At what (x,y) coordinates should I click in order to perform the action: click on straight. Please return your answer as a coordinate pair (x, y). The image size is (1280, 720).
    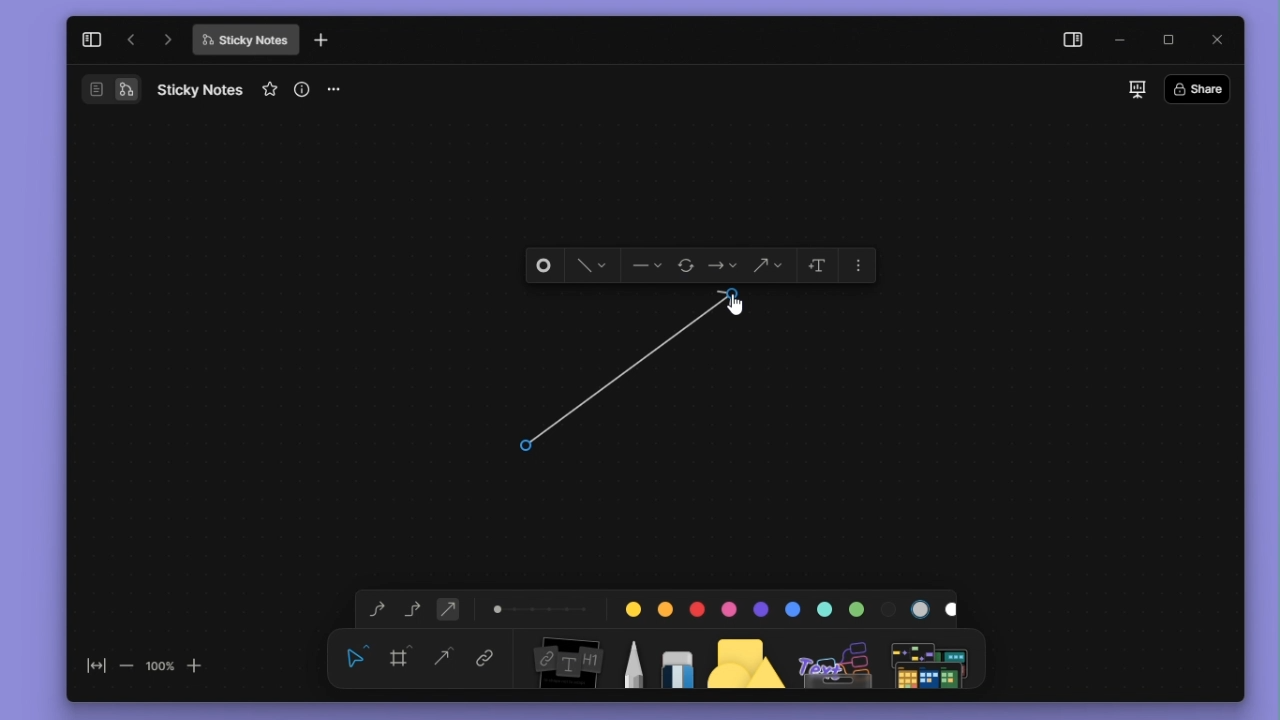
    Looking at the image, I should click on (448, 608).